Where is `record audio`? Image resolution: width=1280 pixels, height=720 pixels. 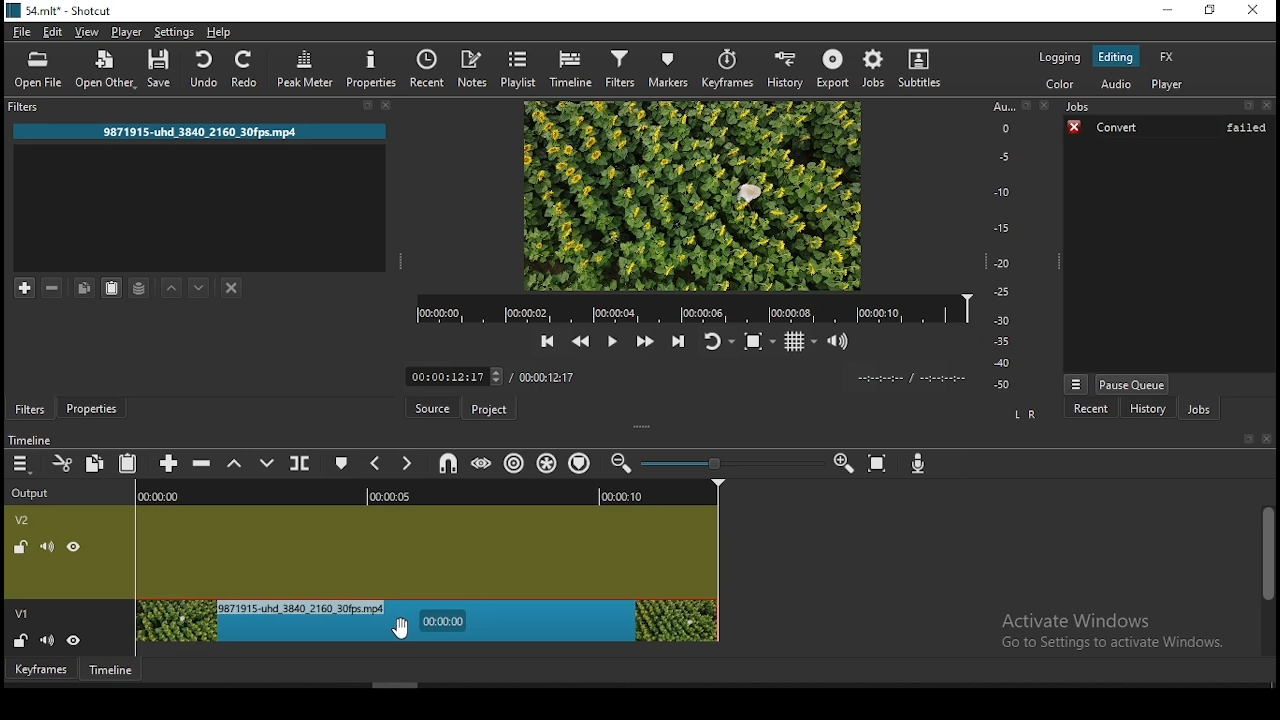
record audio is located at coordinates (917, 465).